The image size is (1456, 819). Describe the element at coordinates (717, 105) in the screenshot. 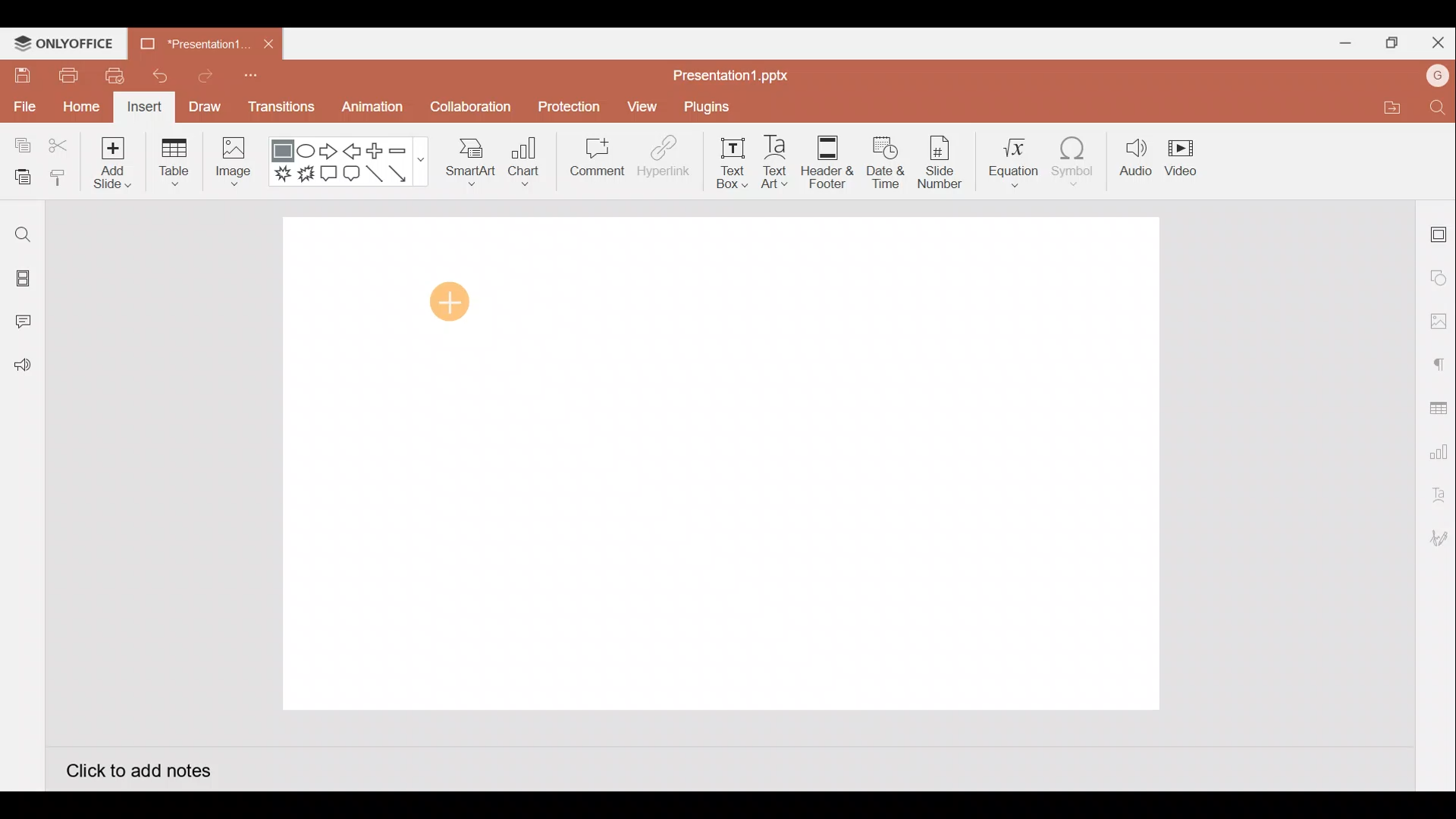

I see `Plugins` at that location.